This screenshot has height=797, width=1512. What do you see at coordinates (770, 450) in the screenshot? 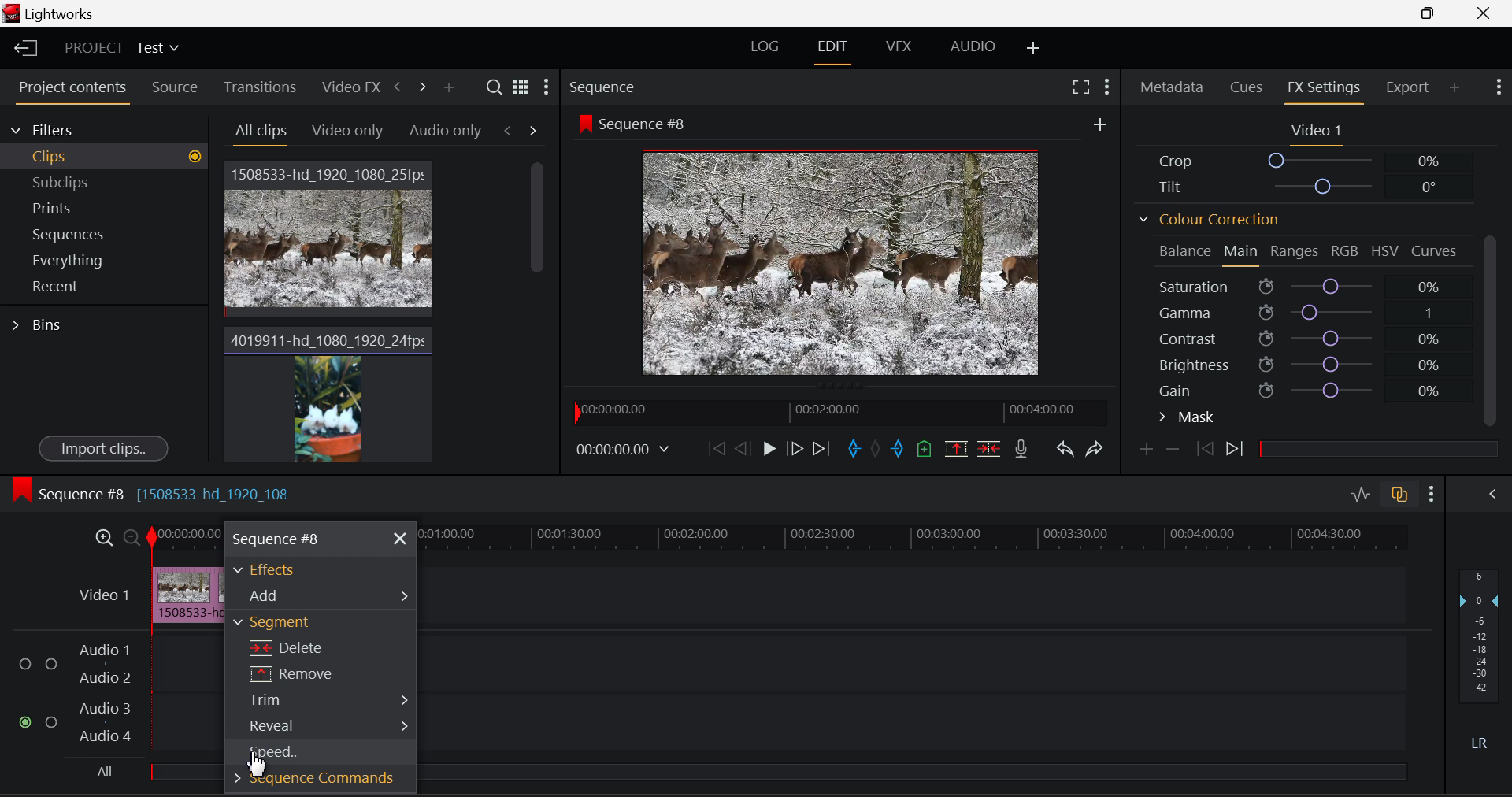
I see `Play` at bounding box center [770, 450].